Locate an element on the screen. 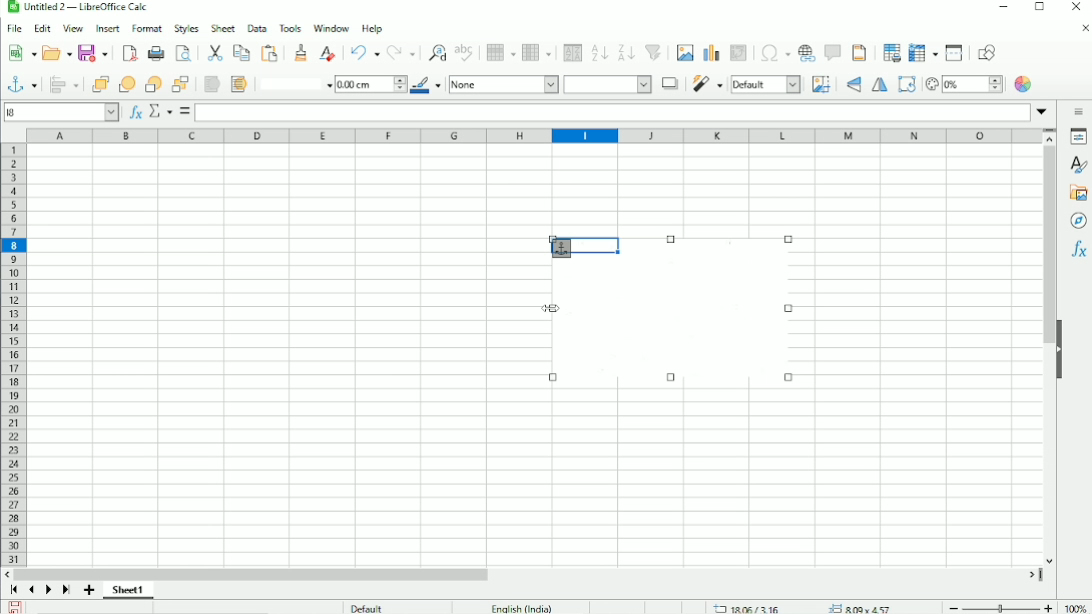 The image size is (1092, 614). Zoom out/in is located at coordinates (997, 606).